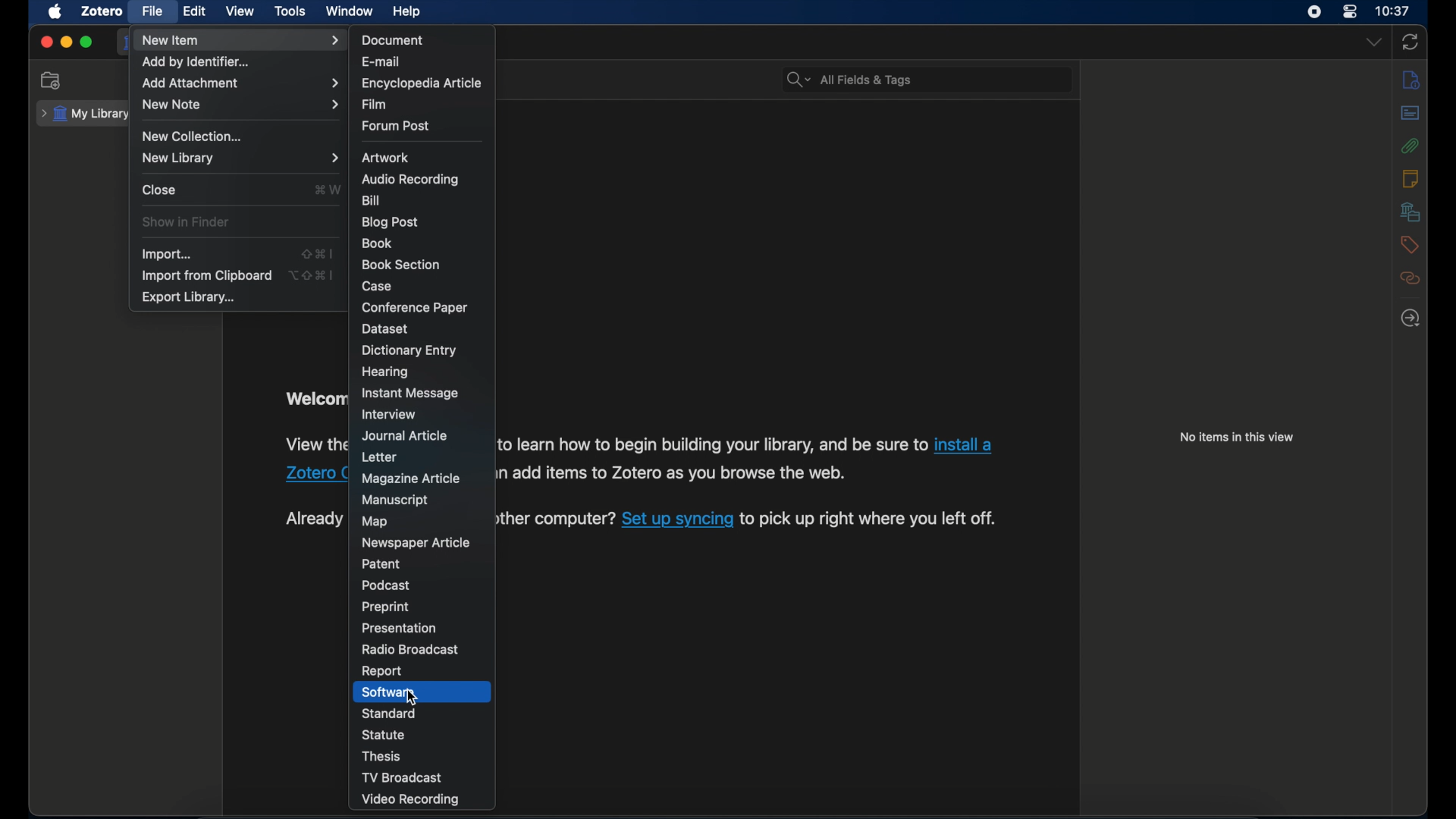 The width and height of the screenshot is (1456, 819). I want to click on import, so click(165, 253).